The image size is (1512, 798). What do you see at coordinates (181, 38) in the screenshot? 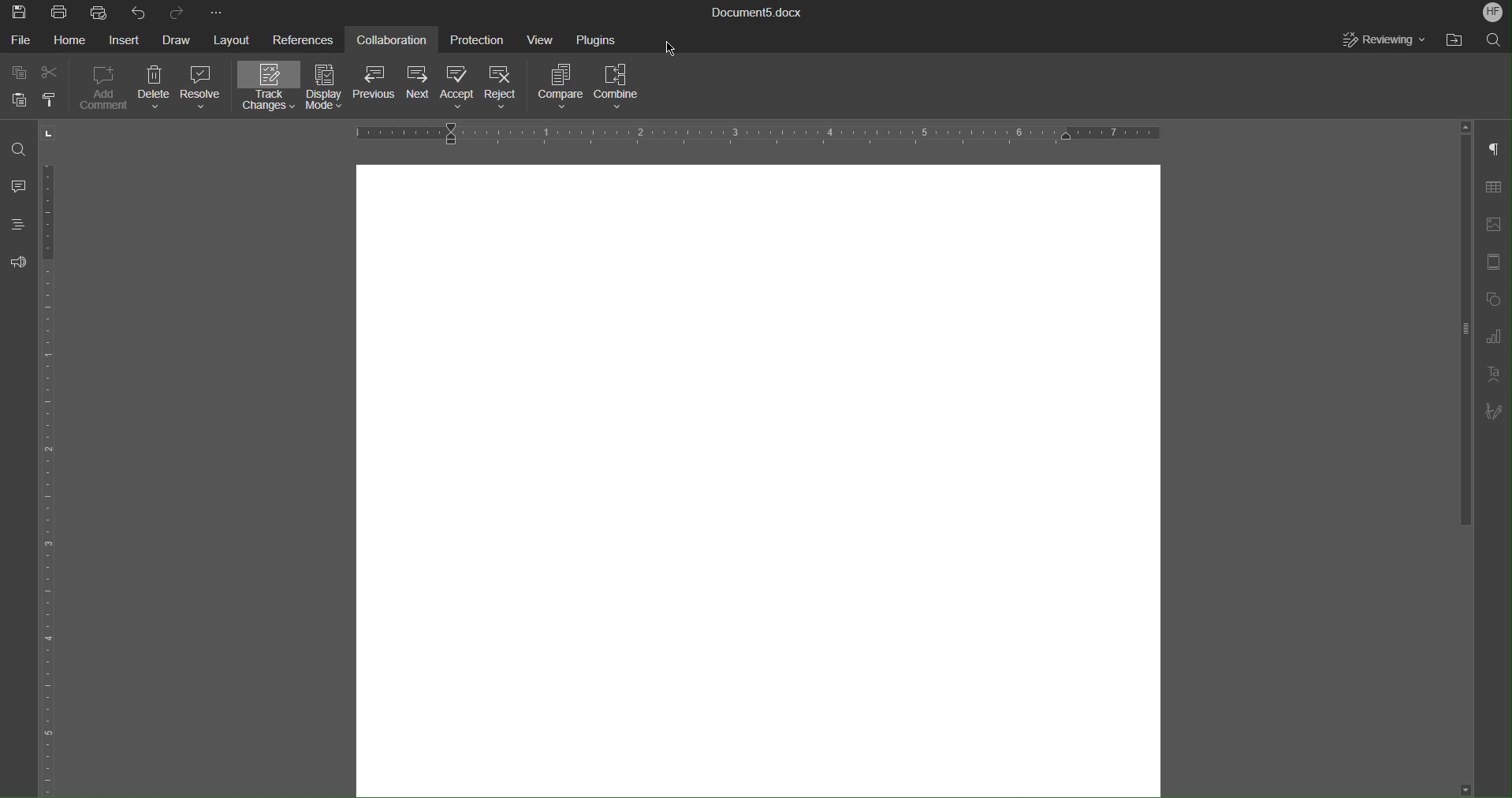
I see `Draw` at bounding box center [181, 38].